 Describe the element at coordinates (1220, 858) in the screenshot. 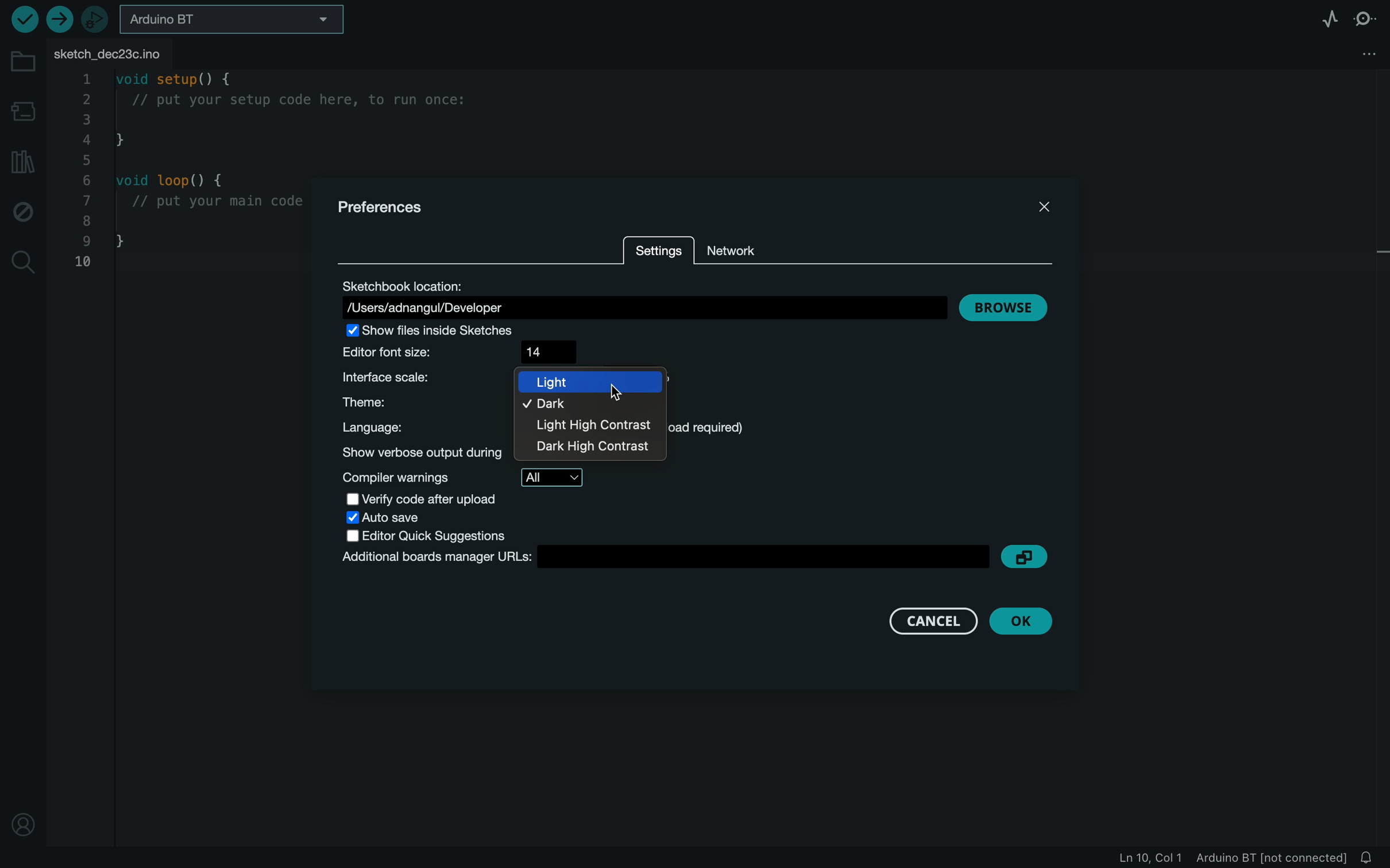

I see `file imformation` at that location.